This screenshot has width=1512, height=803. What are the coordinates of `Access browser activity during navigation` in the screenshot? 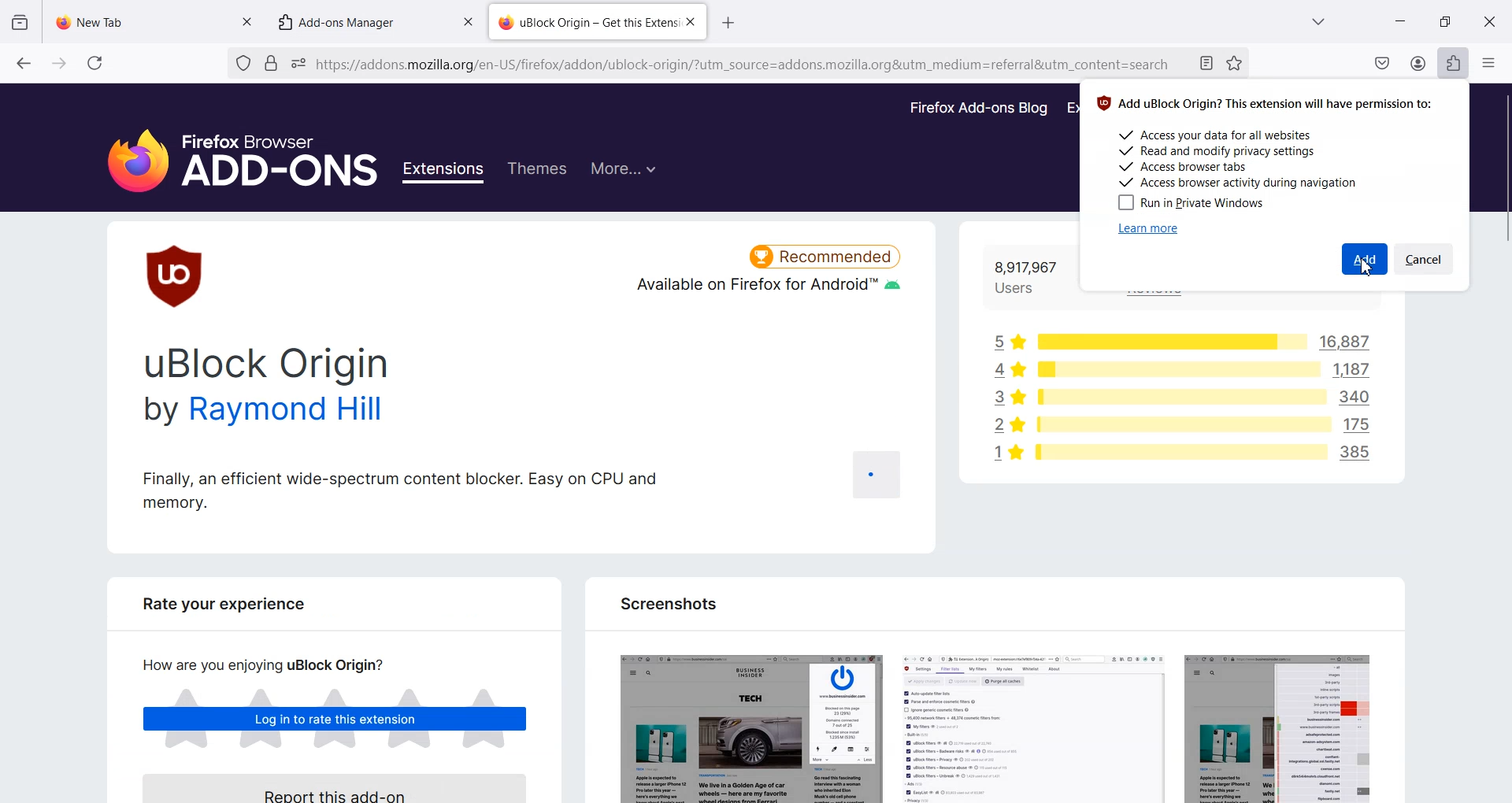 It's located at (1243, 181).